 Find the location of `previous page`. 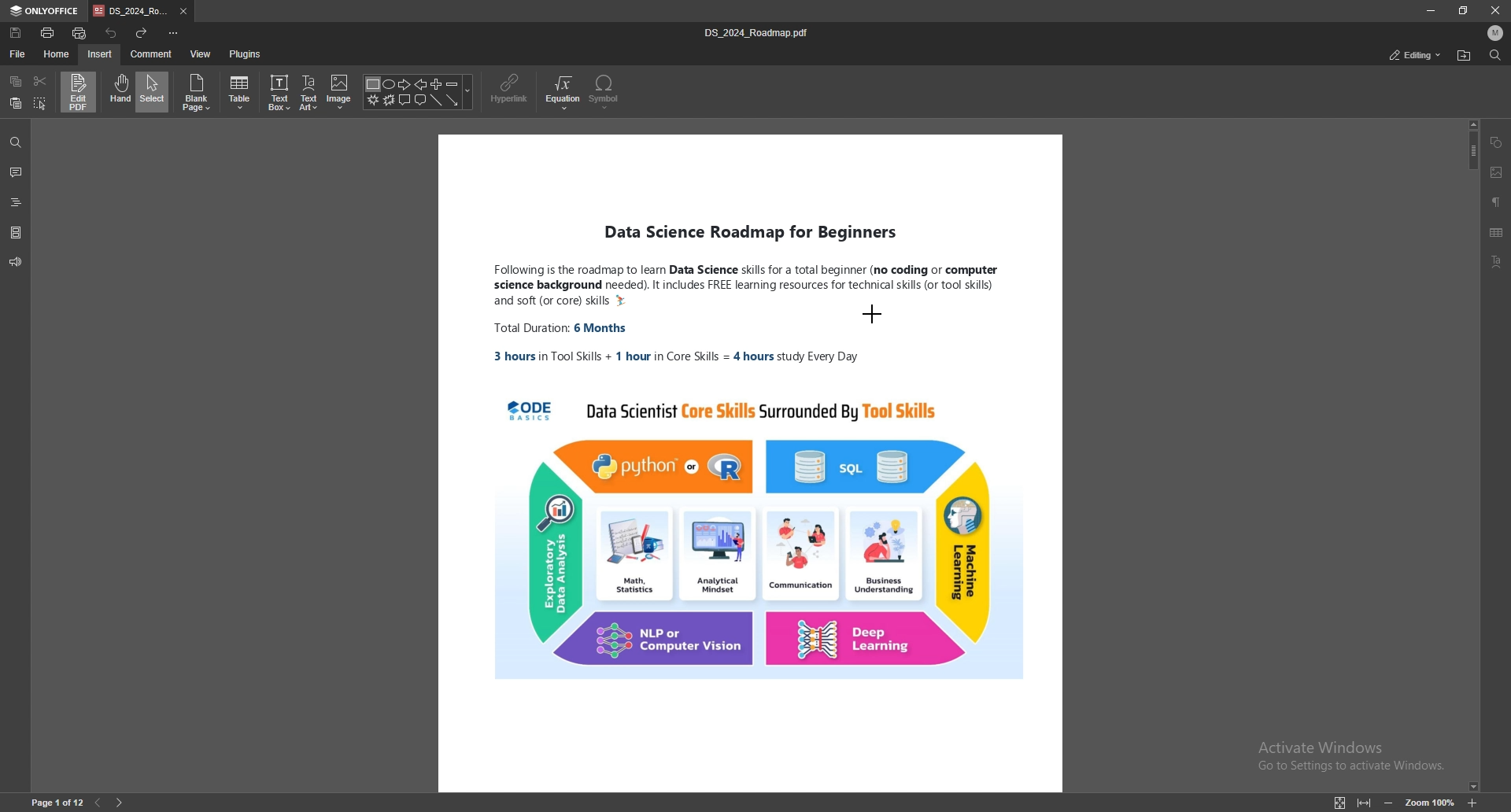

previous page is located at coordinates (98, 803).